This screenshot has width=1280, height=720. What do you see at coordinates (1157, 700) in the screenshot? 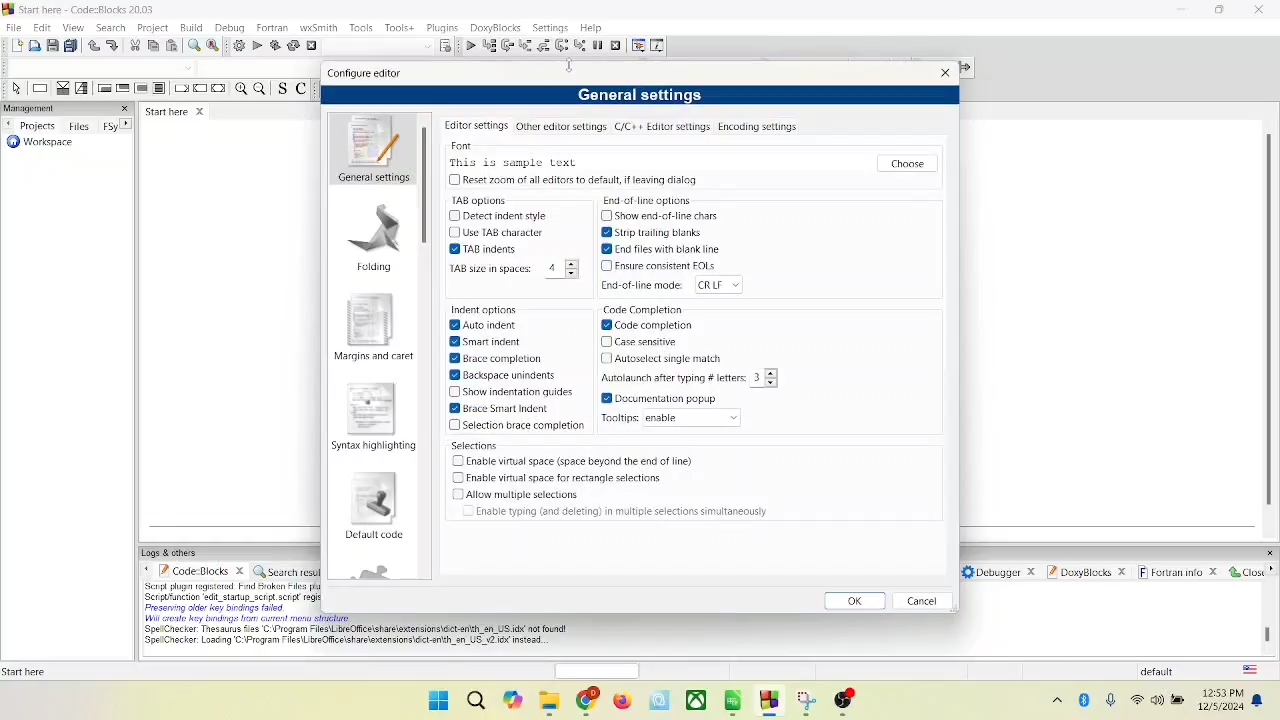
I see `speaker` at bounding box center [1157, 700].